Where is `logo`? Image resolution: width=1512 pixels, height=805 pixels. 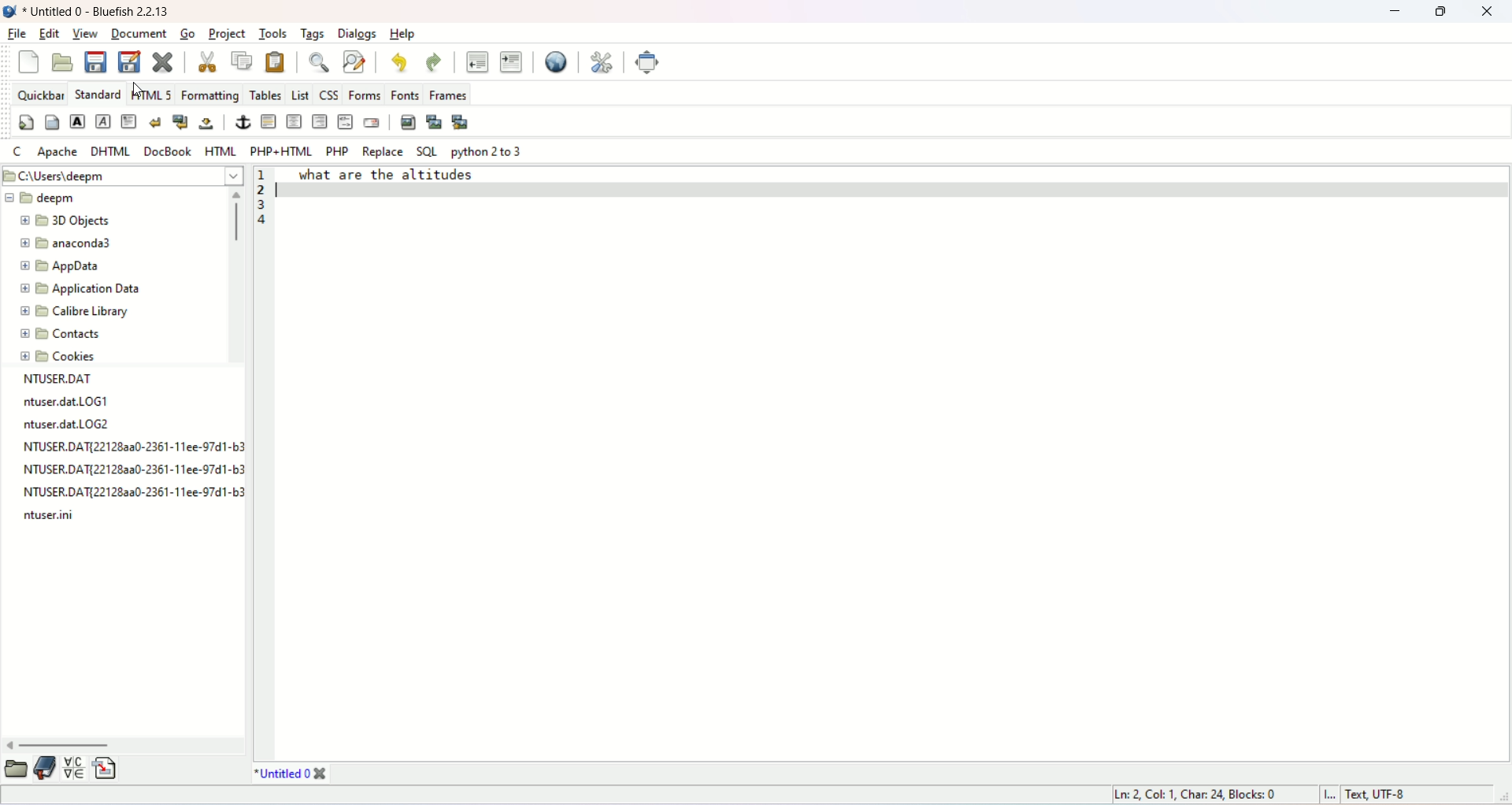 logo is located at coordinates (9, 11).